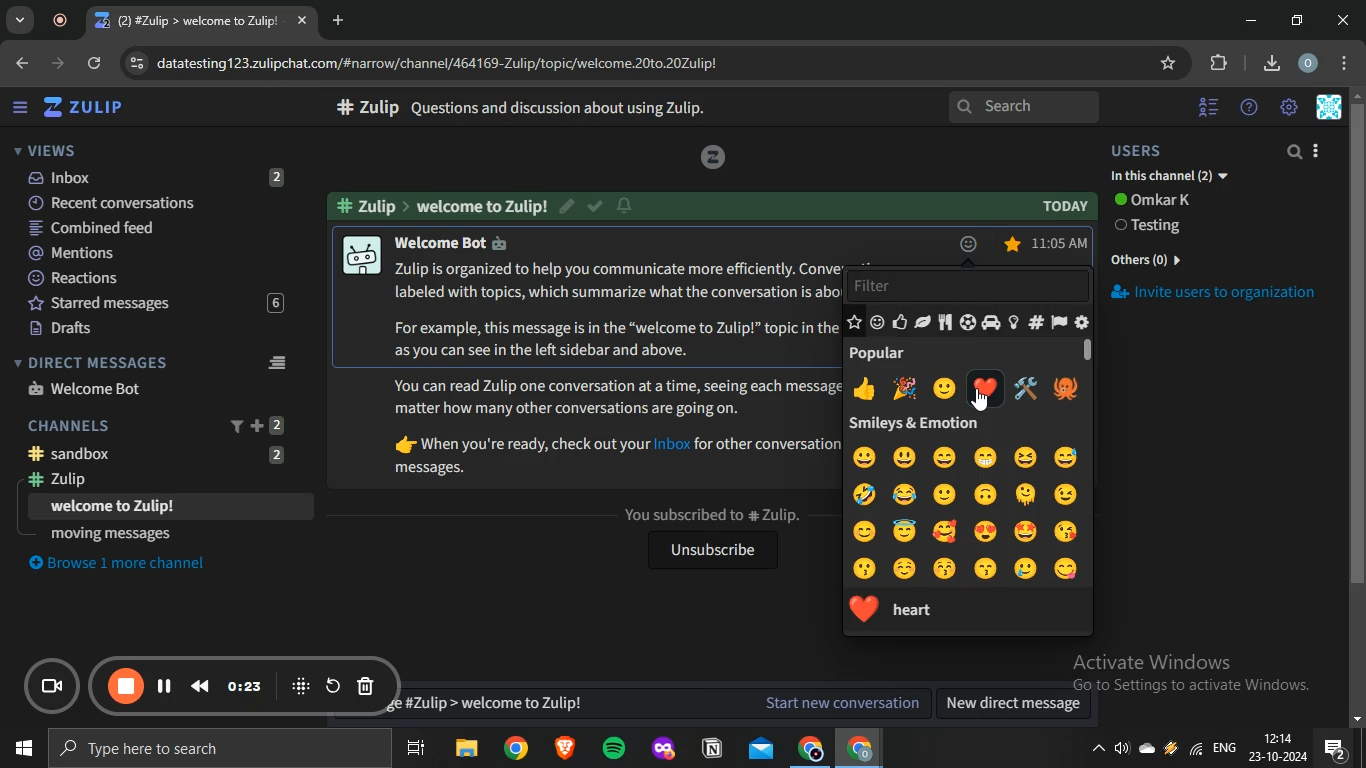 Image resolution: width=1366 pixels, height=768 pixels. I want to click on yum, so click(1066, 569).